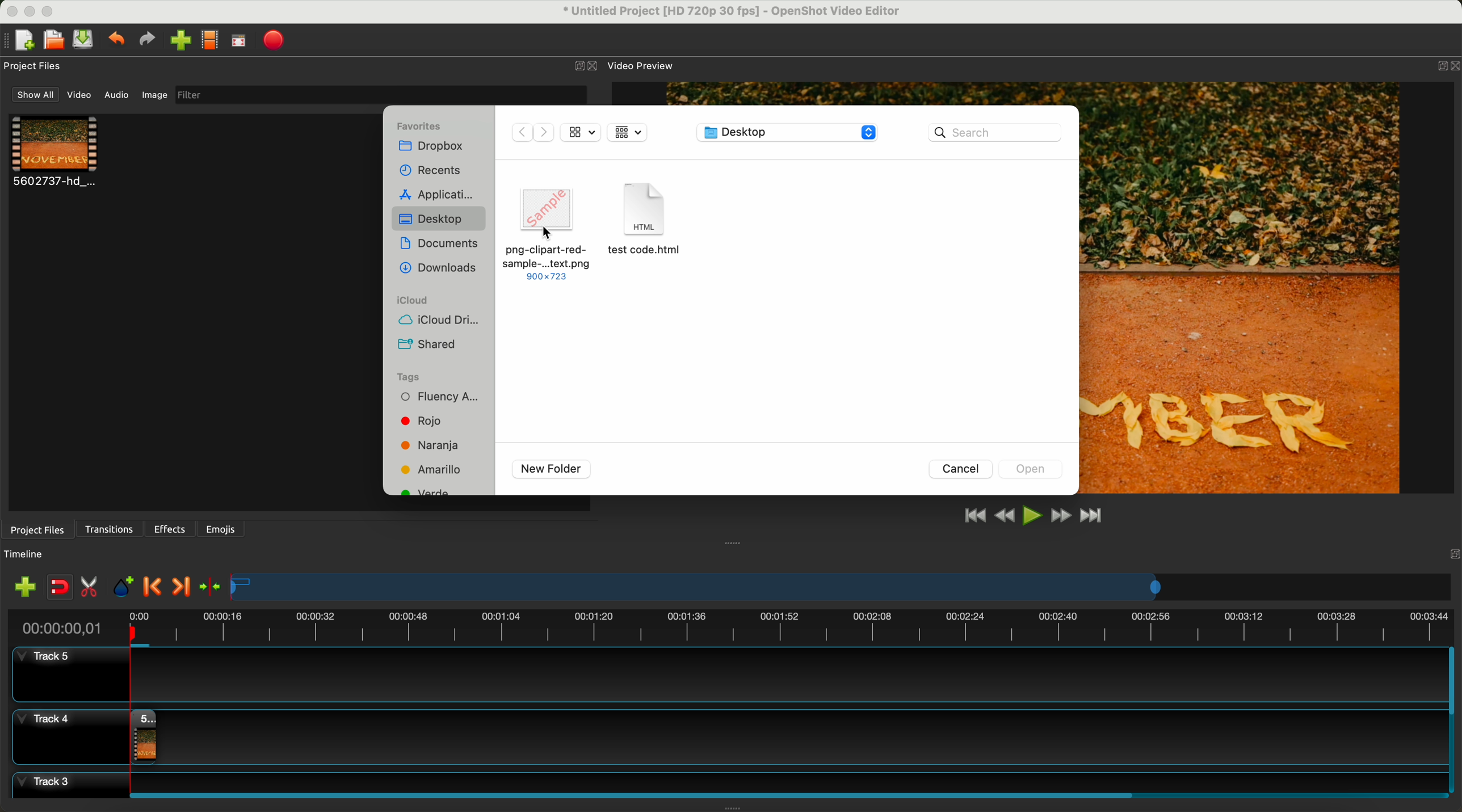  I want to click on jump to start, so click(975, 516).